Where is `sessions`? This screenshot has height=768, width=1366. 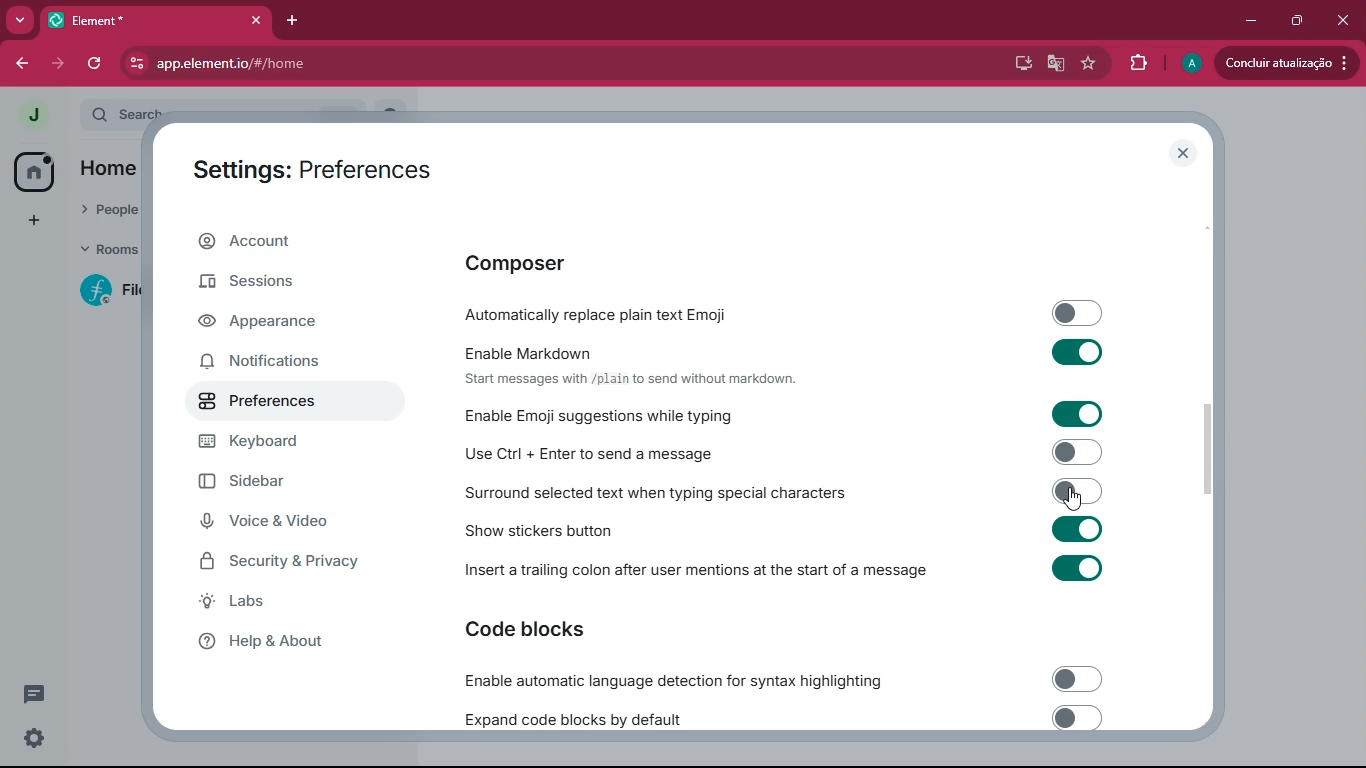 sessions is located at coordinates (282, 284).